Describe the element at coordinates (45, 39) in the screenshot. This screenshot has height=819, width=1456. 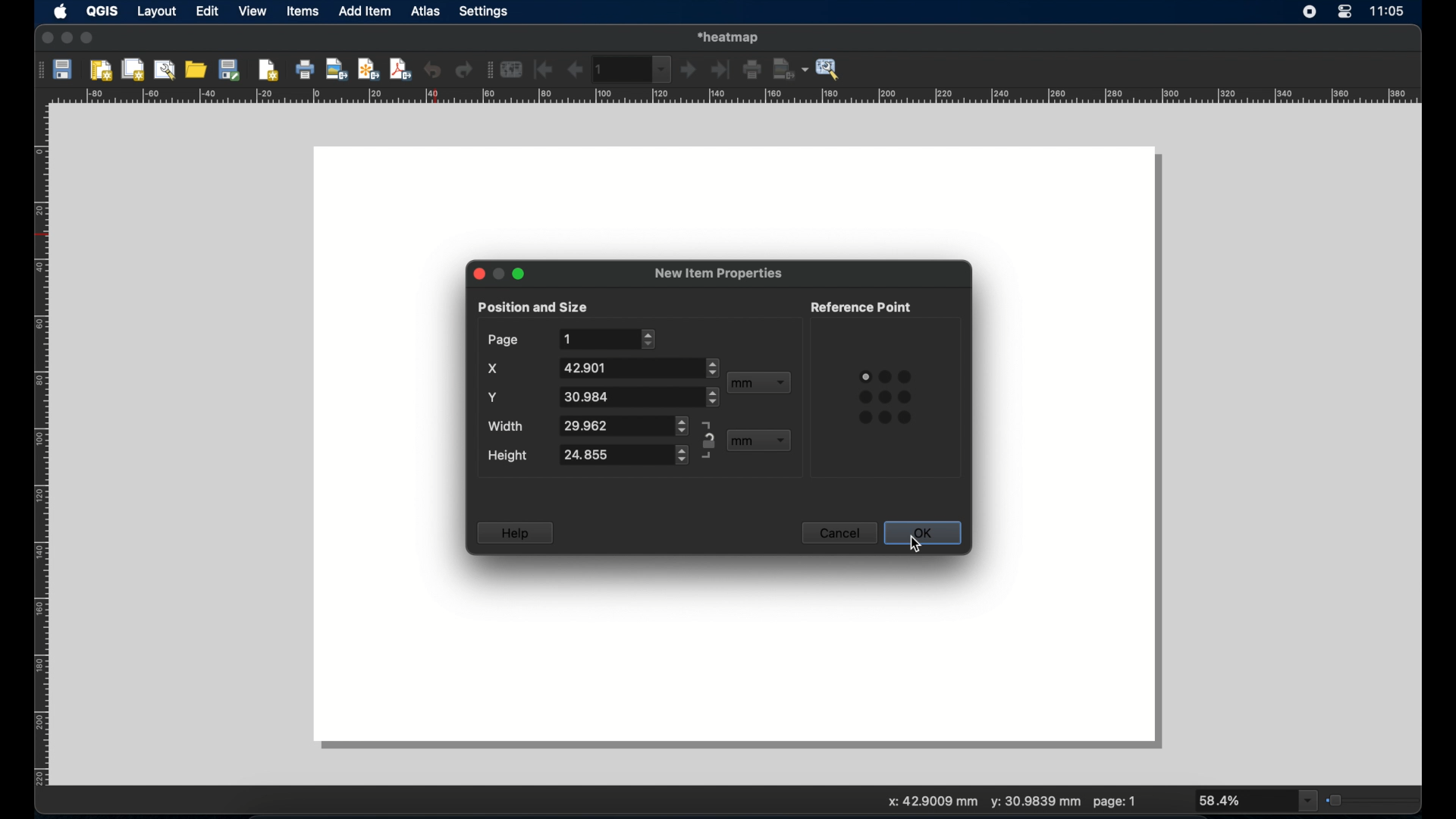
I see `close` at that location.